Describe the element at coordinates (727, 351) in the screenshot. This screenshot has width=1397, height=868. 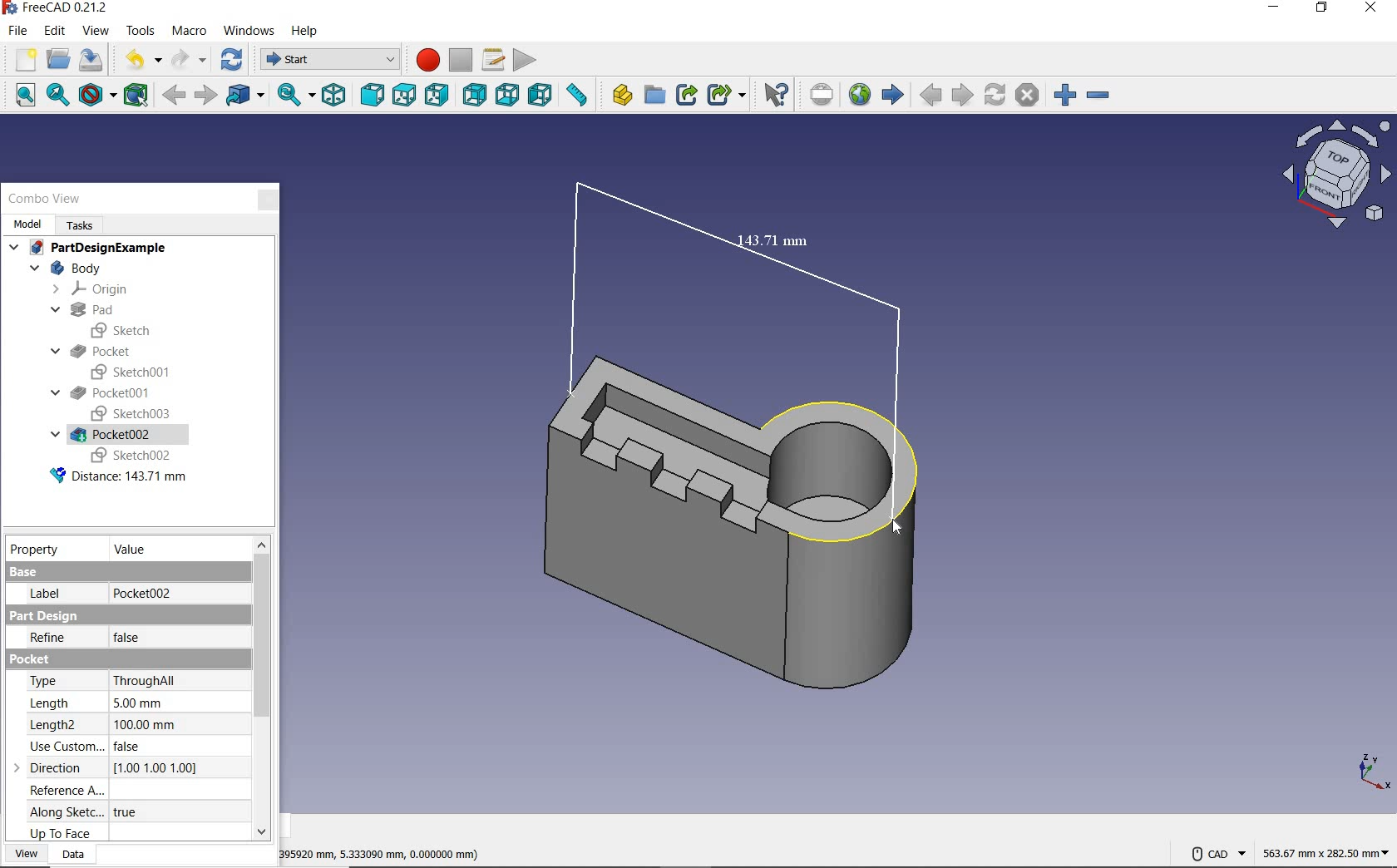
I see `MEASURED DISTANCE: 143.71mm` at that location.